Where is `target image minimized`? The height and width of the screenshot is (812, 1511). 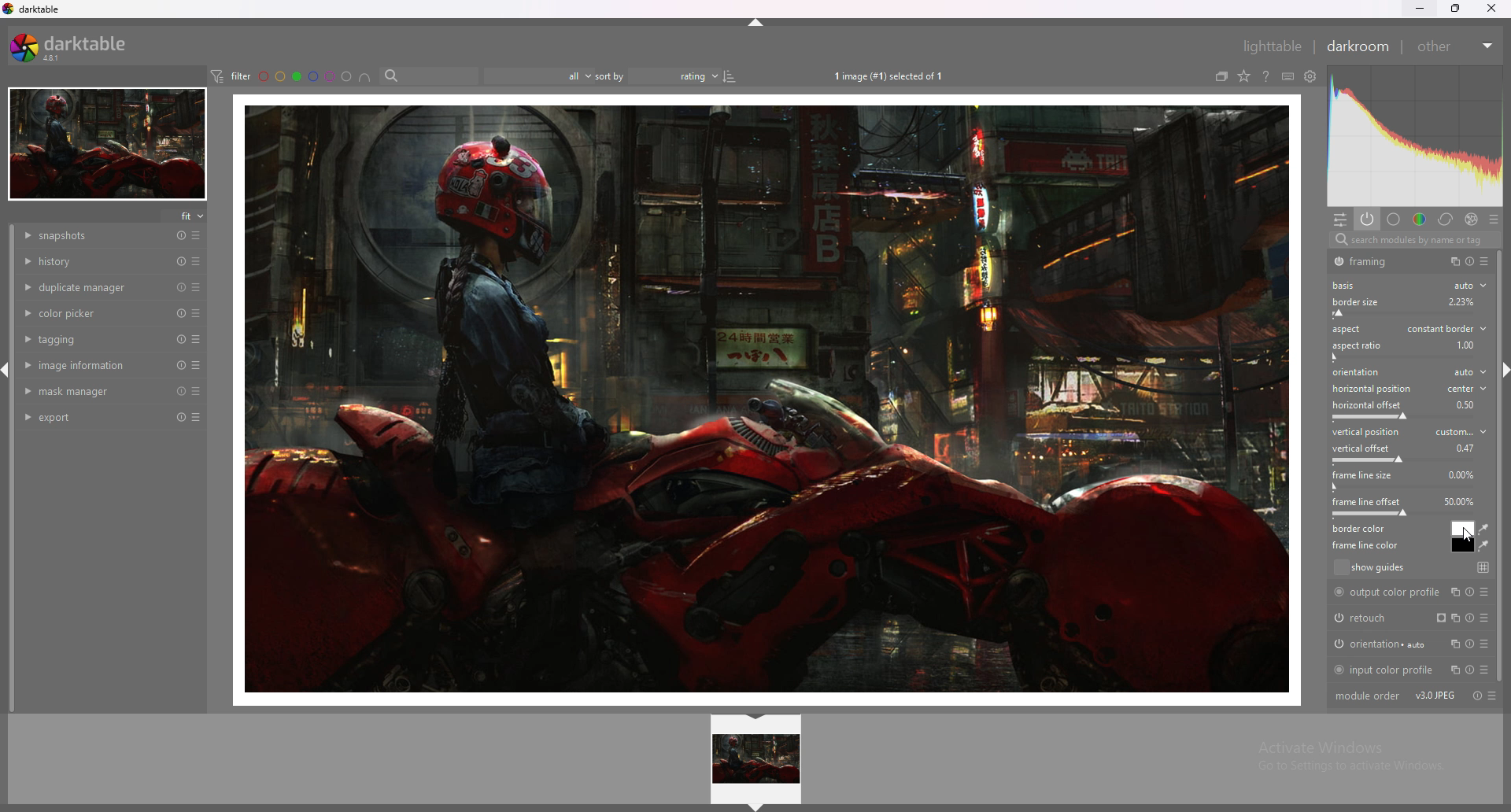 target image minimized is located at coordinates (106, 145).